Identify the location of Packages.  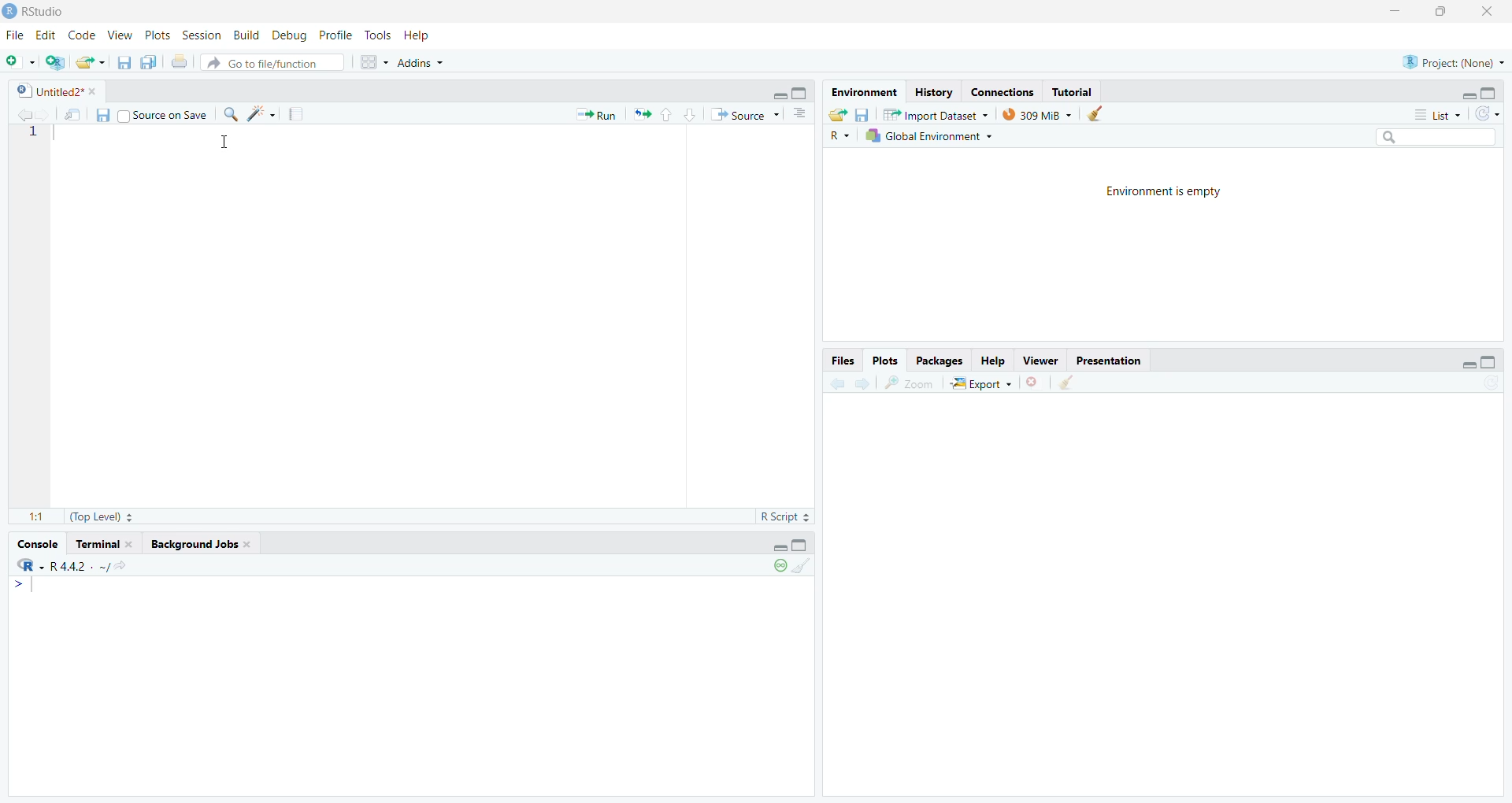
(937, 361).